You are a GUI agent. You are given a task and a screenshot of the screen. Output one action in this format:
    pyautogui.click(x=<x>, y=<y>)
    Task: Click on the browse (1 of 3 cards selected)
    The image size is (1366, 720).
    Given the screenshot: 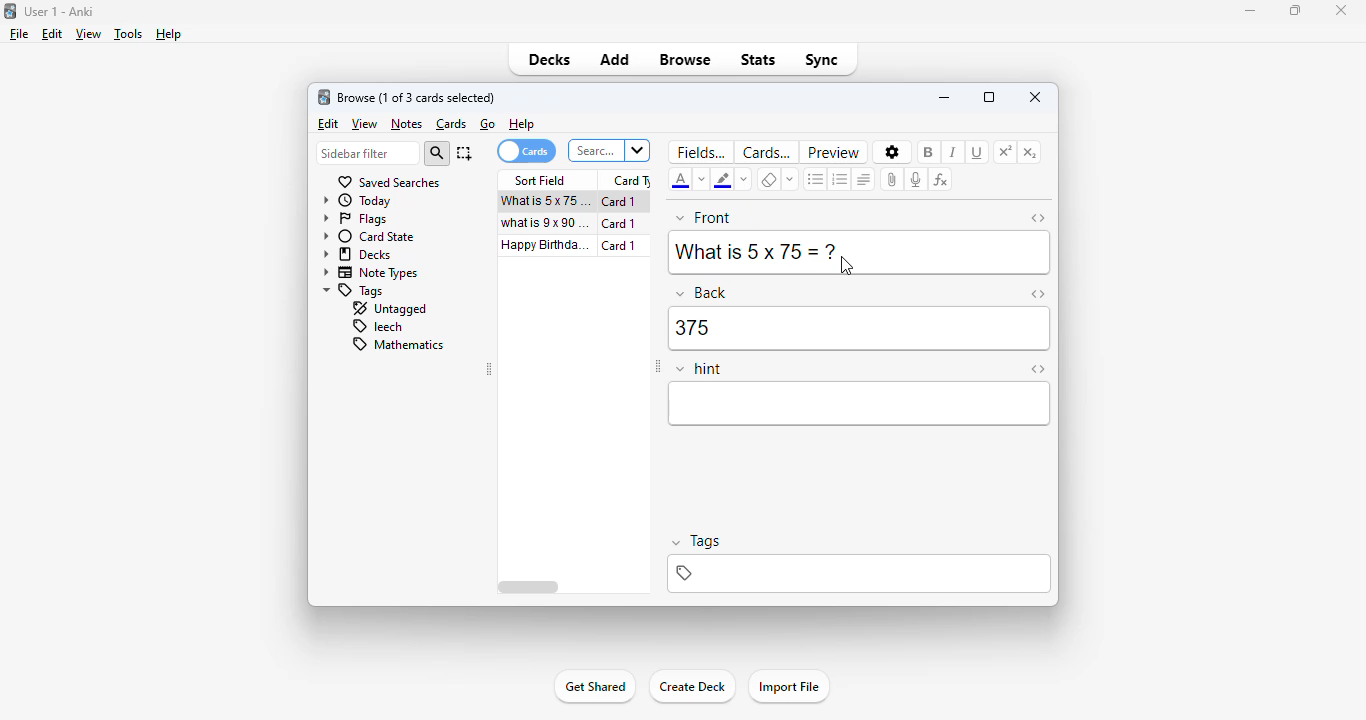 What is the action you would take?
    pyautogui.click(x=417, y=97)
    